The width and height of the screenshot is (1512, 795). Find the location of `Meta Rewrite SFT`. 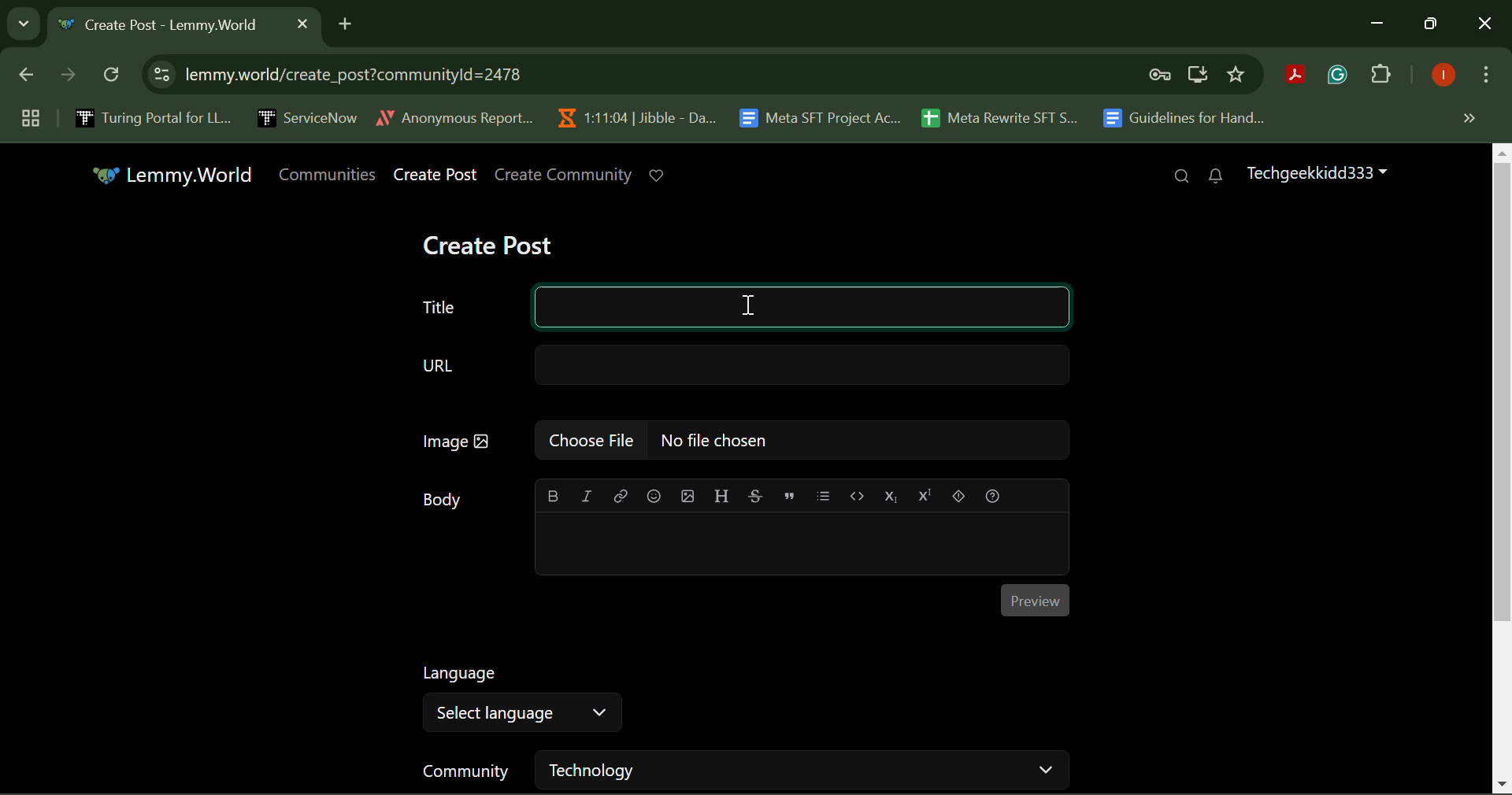

Meta Rewrite SFT is located at coordinates (1006, 116).